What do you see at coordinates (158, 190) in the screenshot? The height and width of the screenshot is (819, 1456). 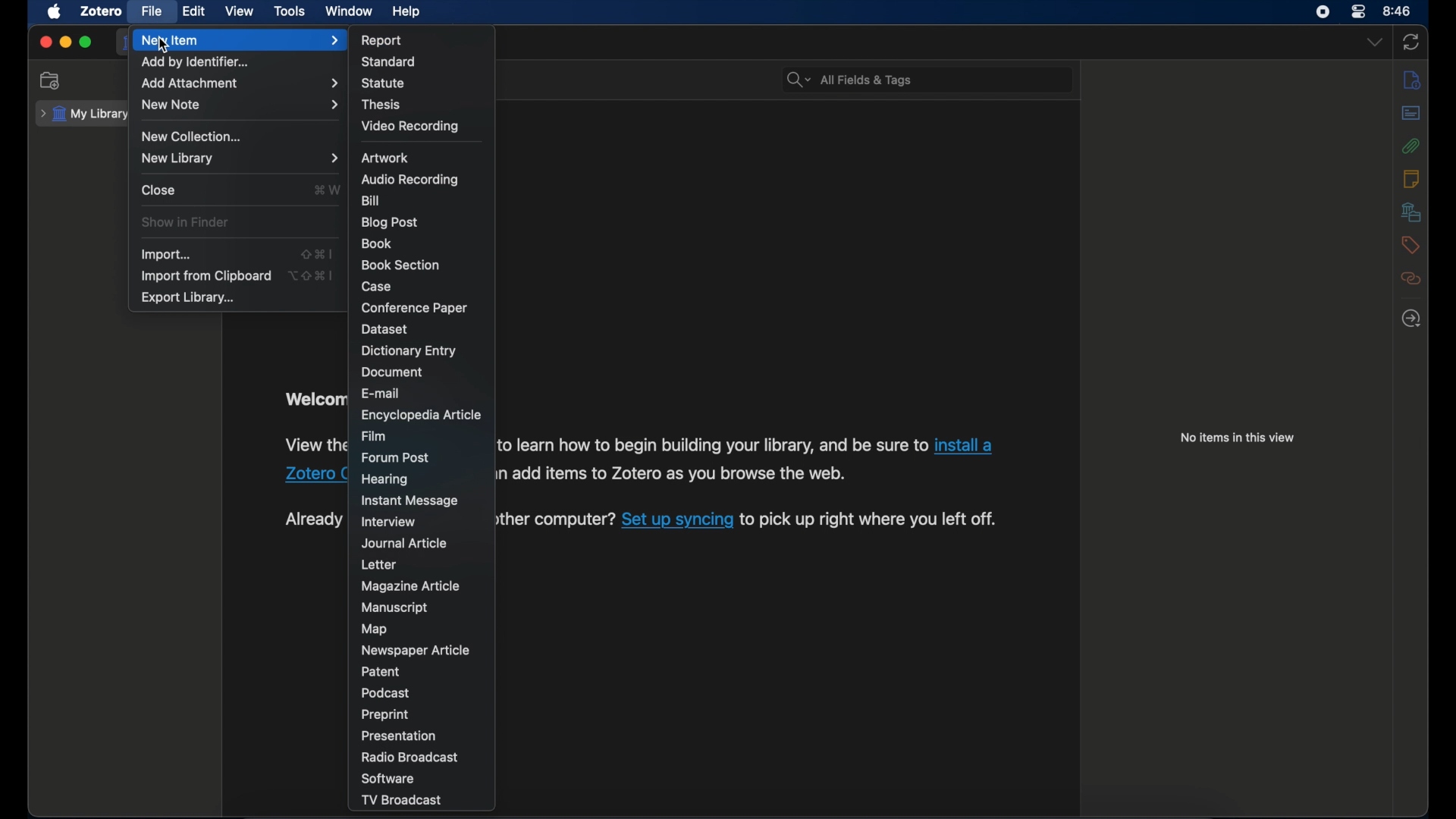 I see `close` at bounding box center [158, 190].